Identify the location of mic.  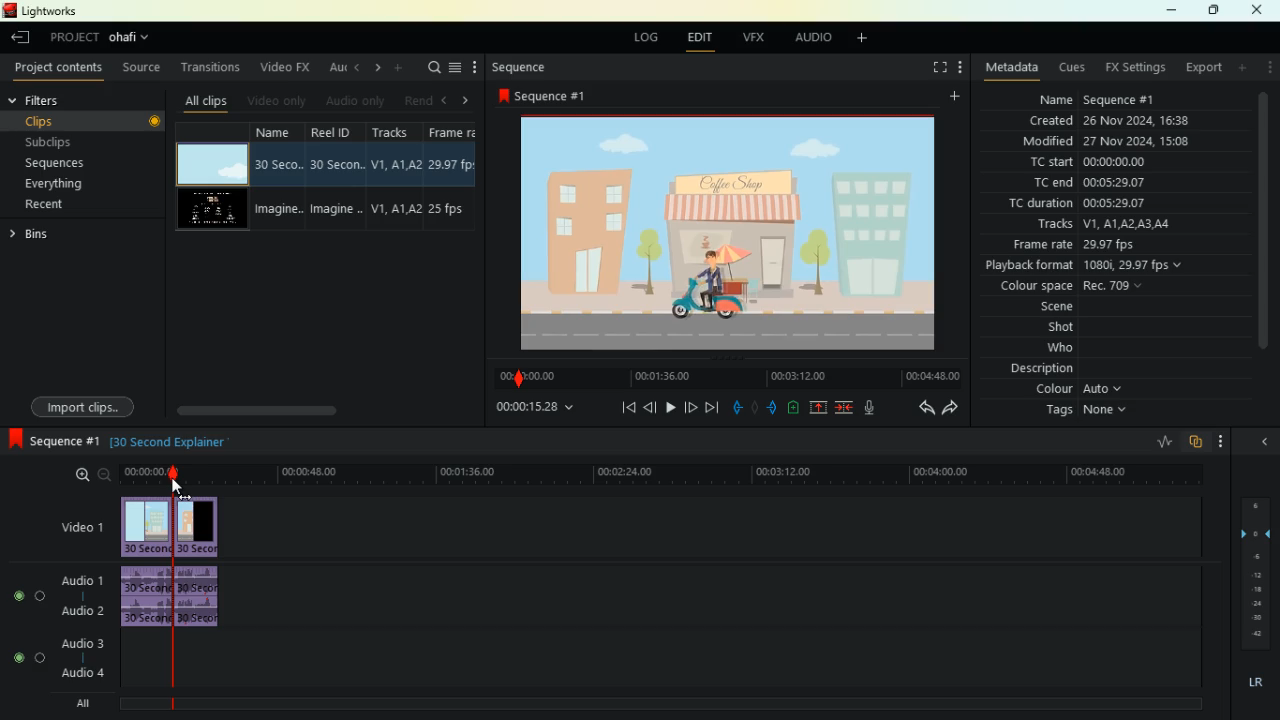
(871, 405).